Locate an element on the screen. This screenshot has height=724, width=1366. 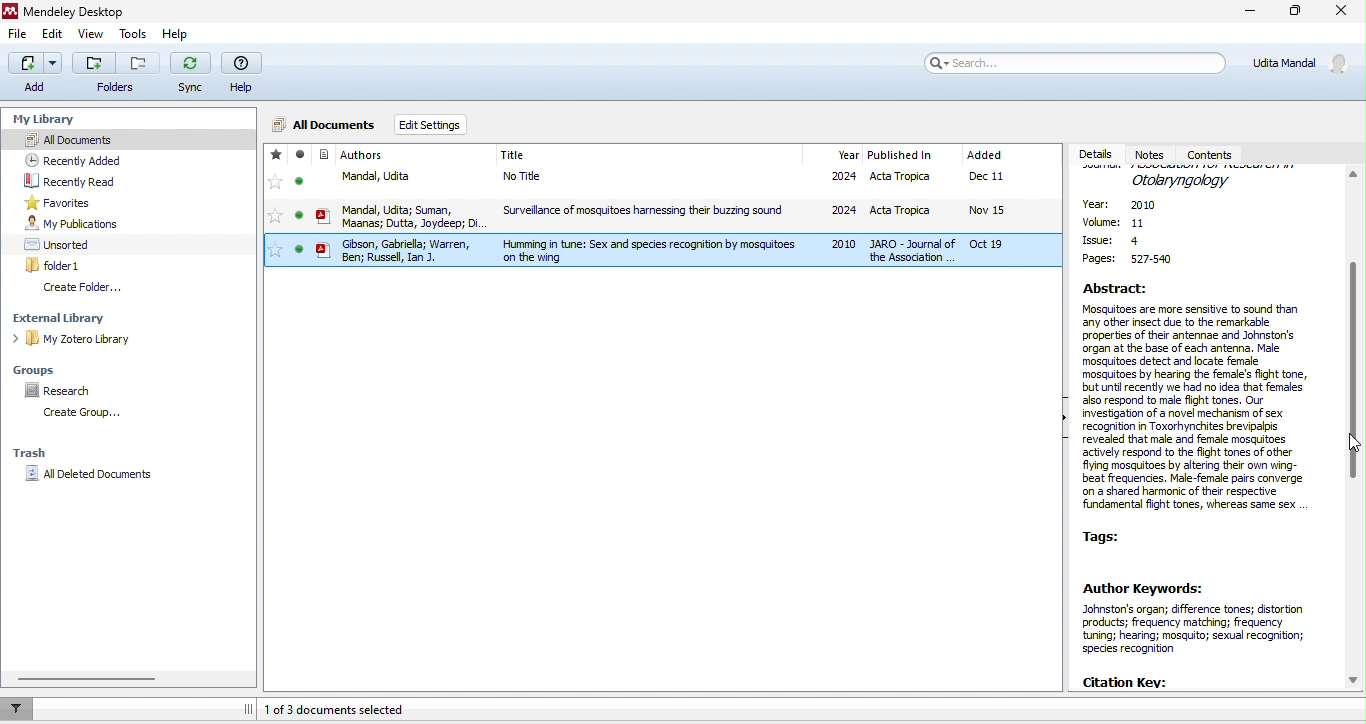
edit is located at coordinates (53, 37).